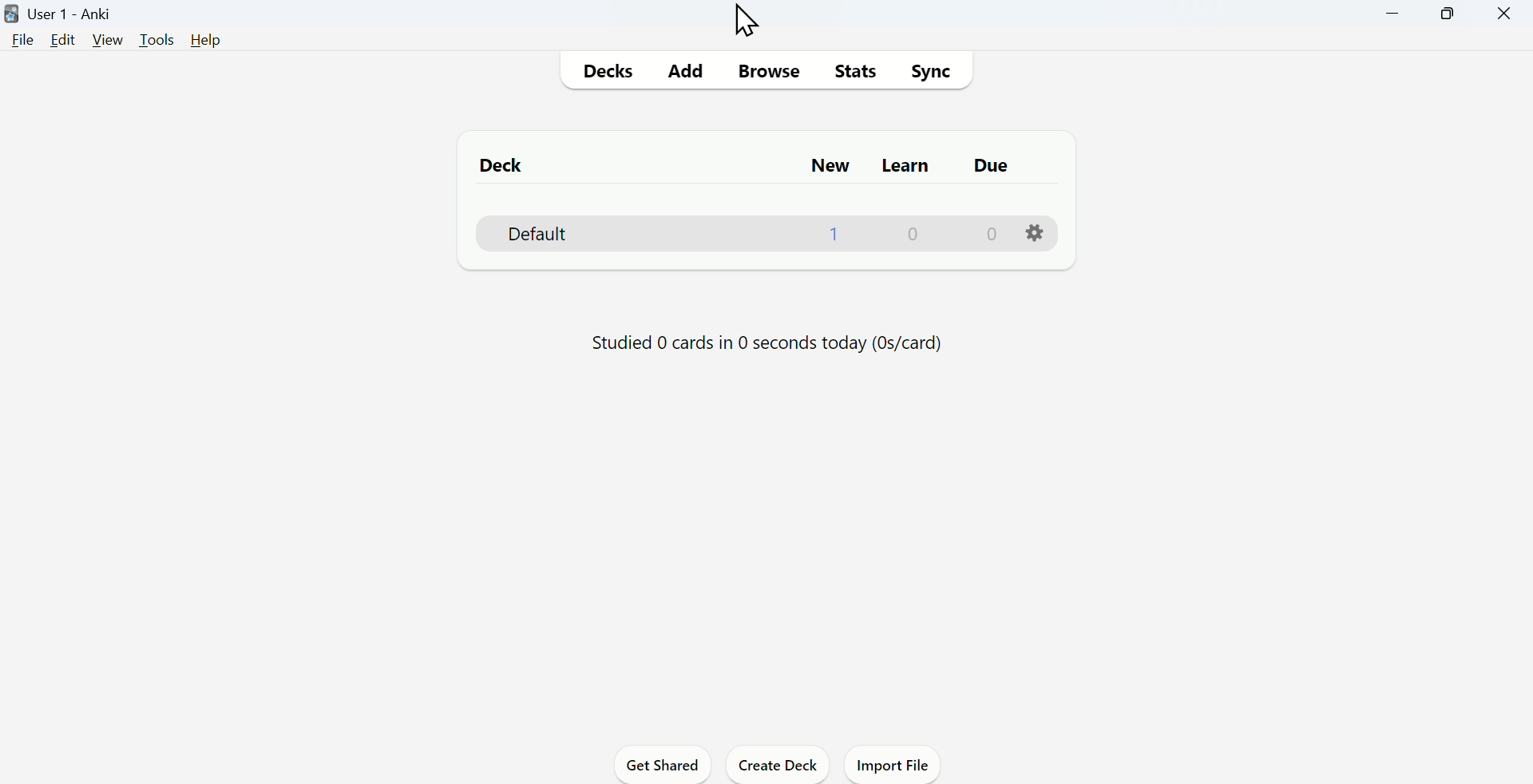 This screenshot has height=784, width=1533. I want to click on Help, so click(208, 41).